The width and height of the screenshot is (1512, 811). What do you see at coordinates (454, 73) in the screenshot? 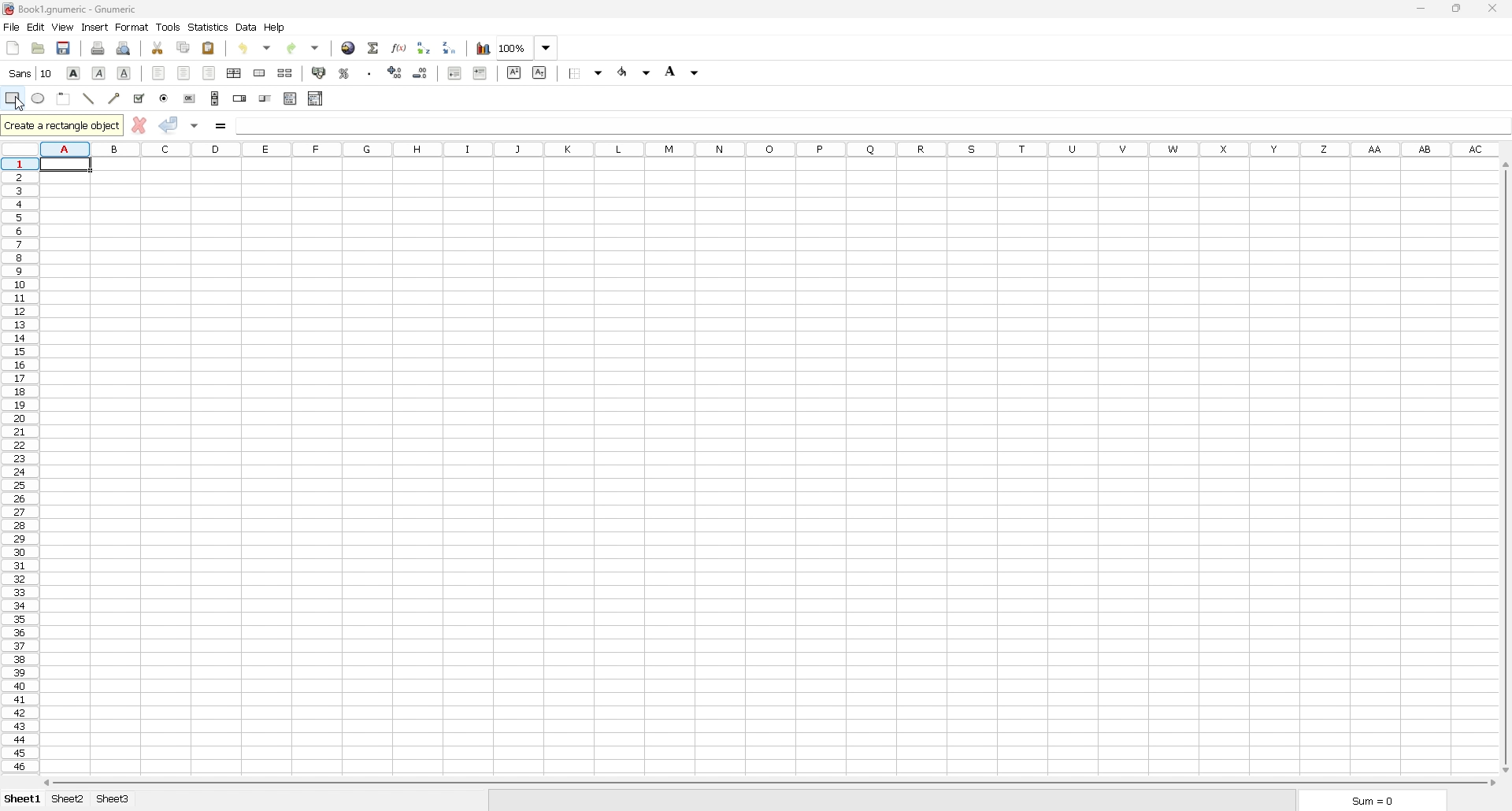
I see `decrease indent` at bounding box center [454, 73].